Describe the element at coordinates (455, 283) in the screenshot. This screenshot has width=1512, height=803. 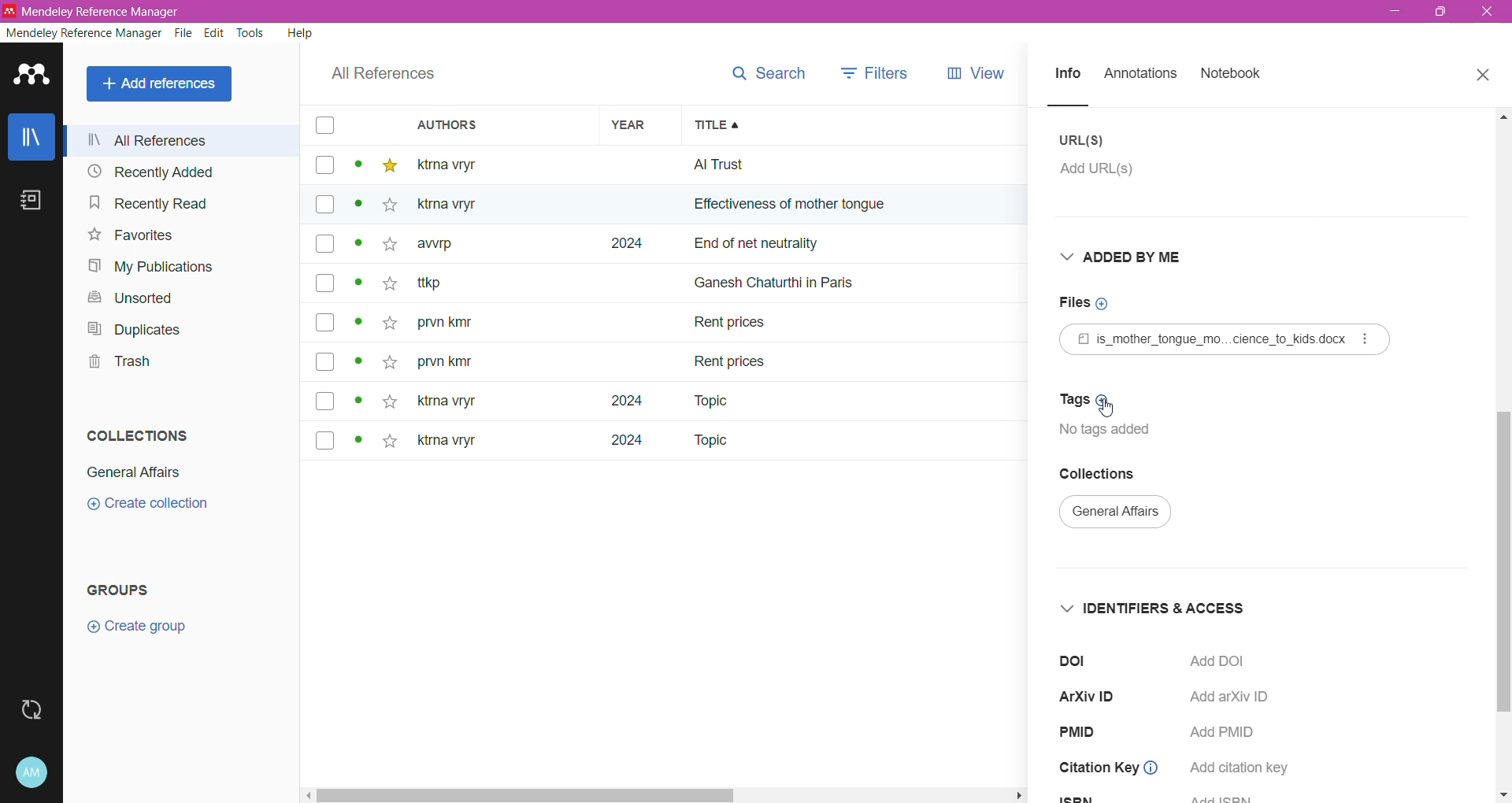
I see `~ ttkp` at that location.